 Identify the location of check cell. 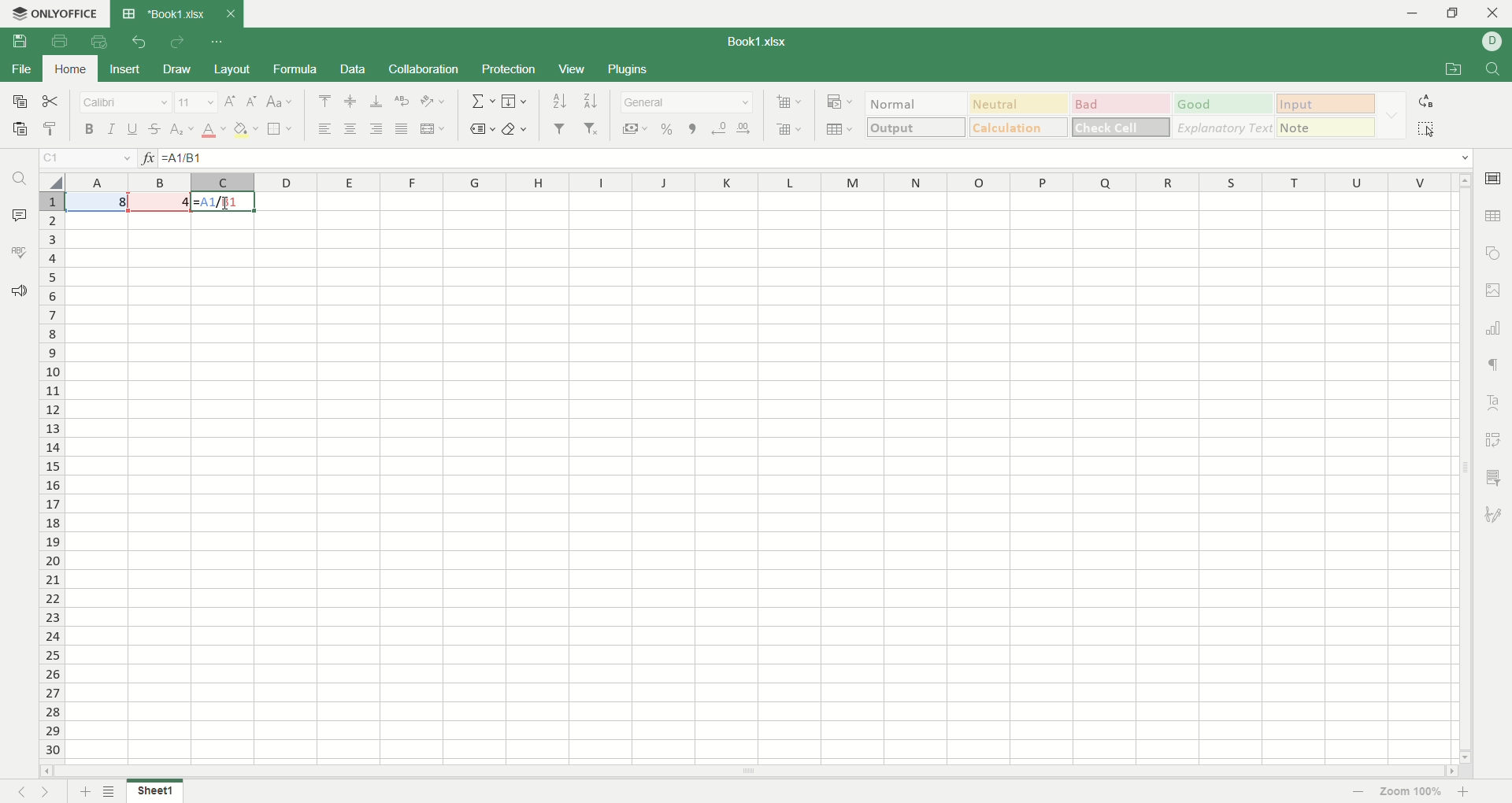
(1121, 128).